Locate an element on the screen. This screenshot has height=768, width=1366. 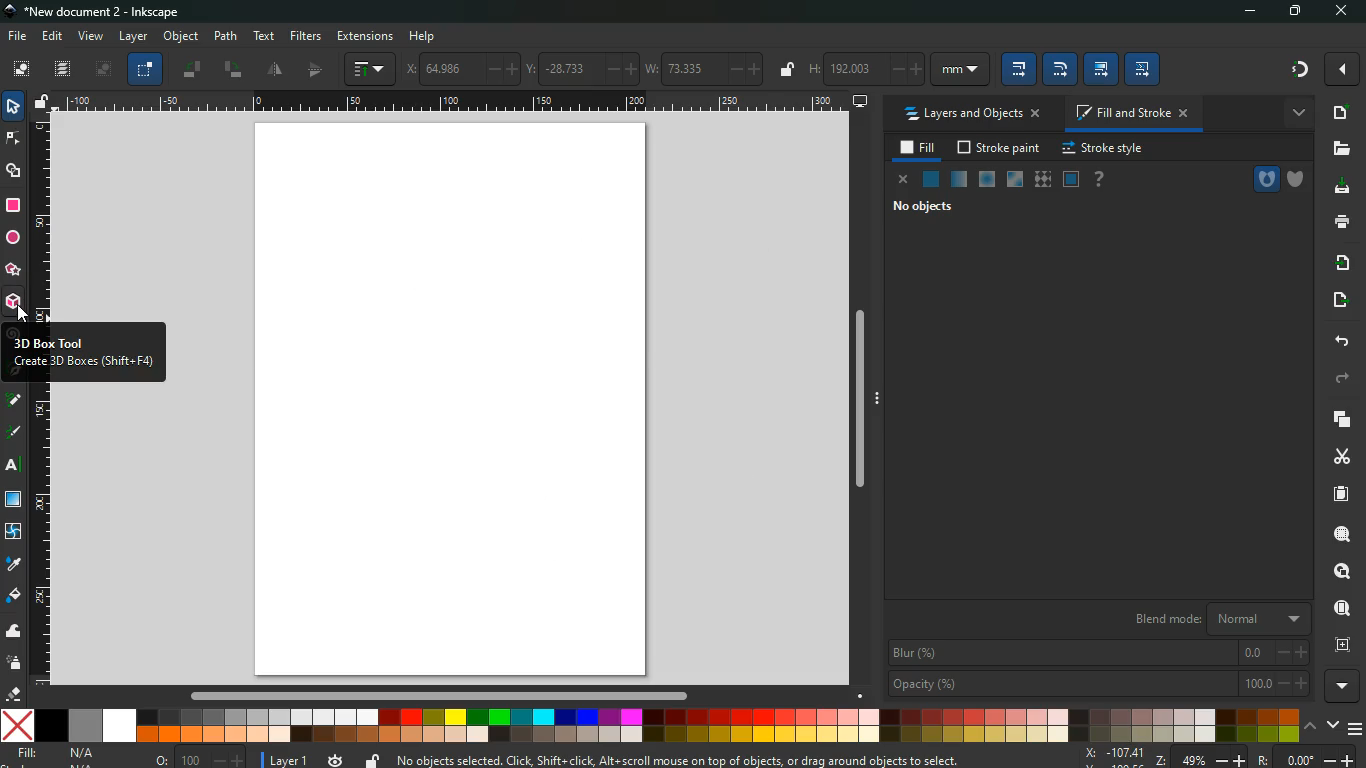
frame is located at coordinates (1071, 180).